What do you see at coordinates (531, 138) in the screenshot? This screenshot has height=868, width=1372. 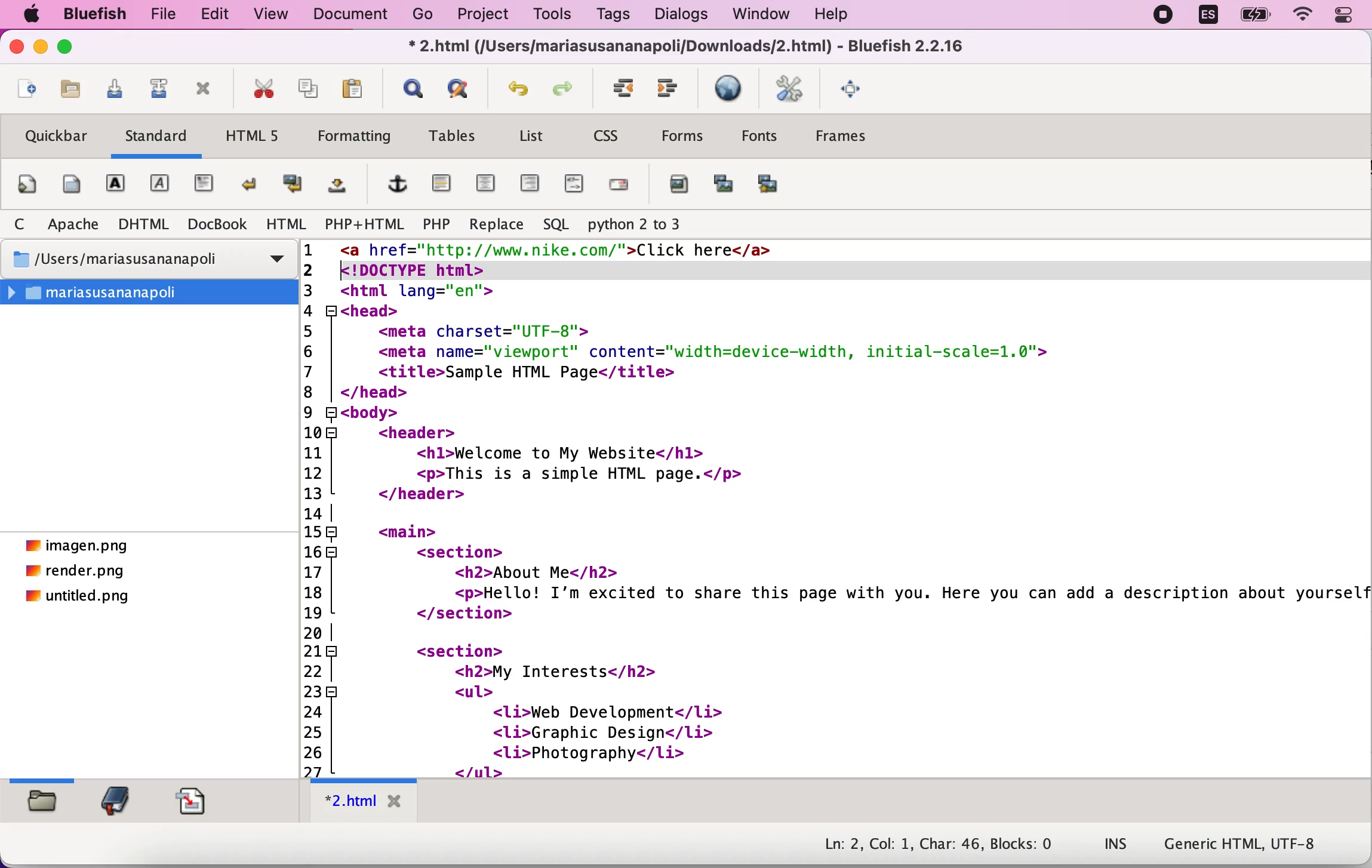 I see `list` at bounding box center [531, 138].